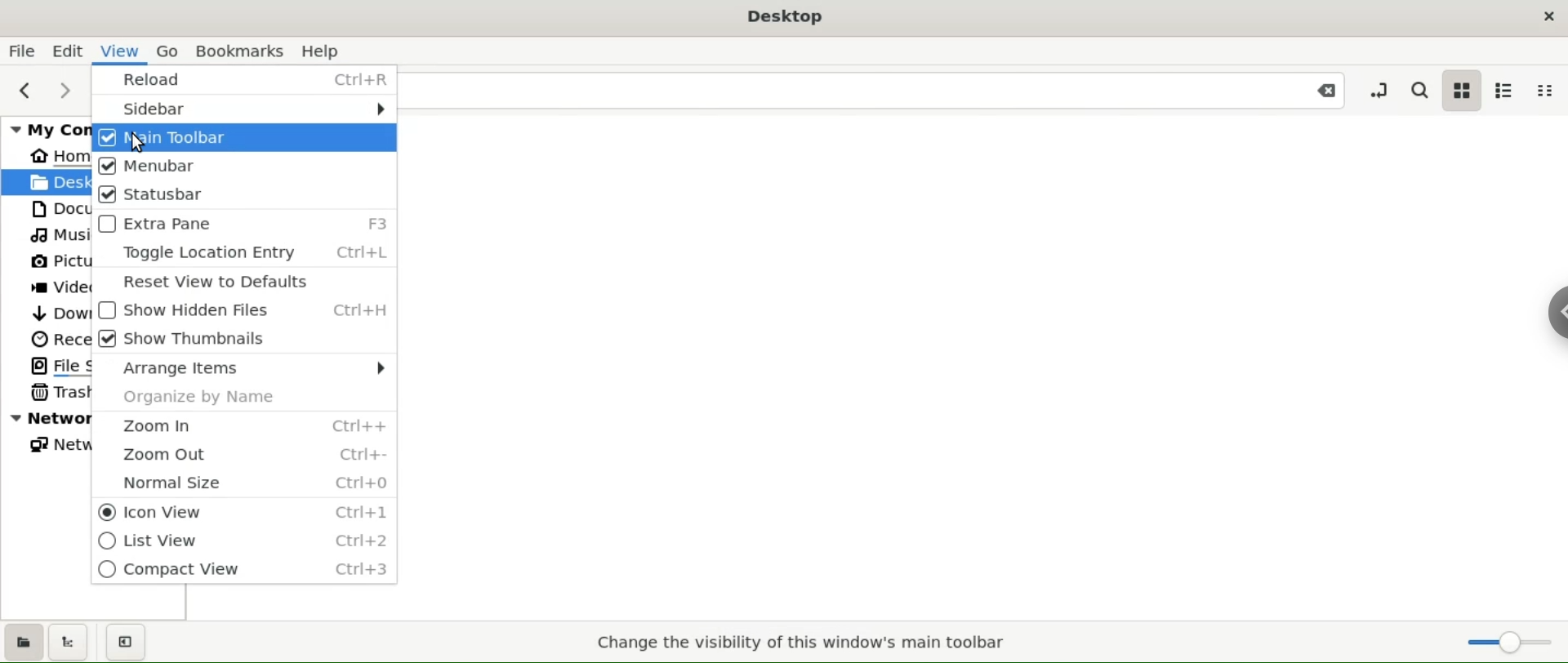 The height and width of the screenshot is (663, 1568). Describe the element at coordinates (241, 512) in the screenshot. I see `icon view` at that location.